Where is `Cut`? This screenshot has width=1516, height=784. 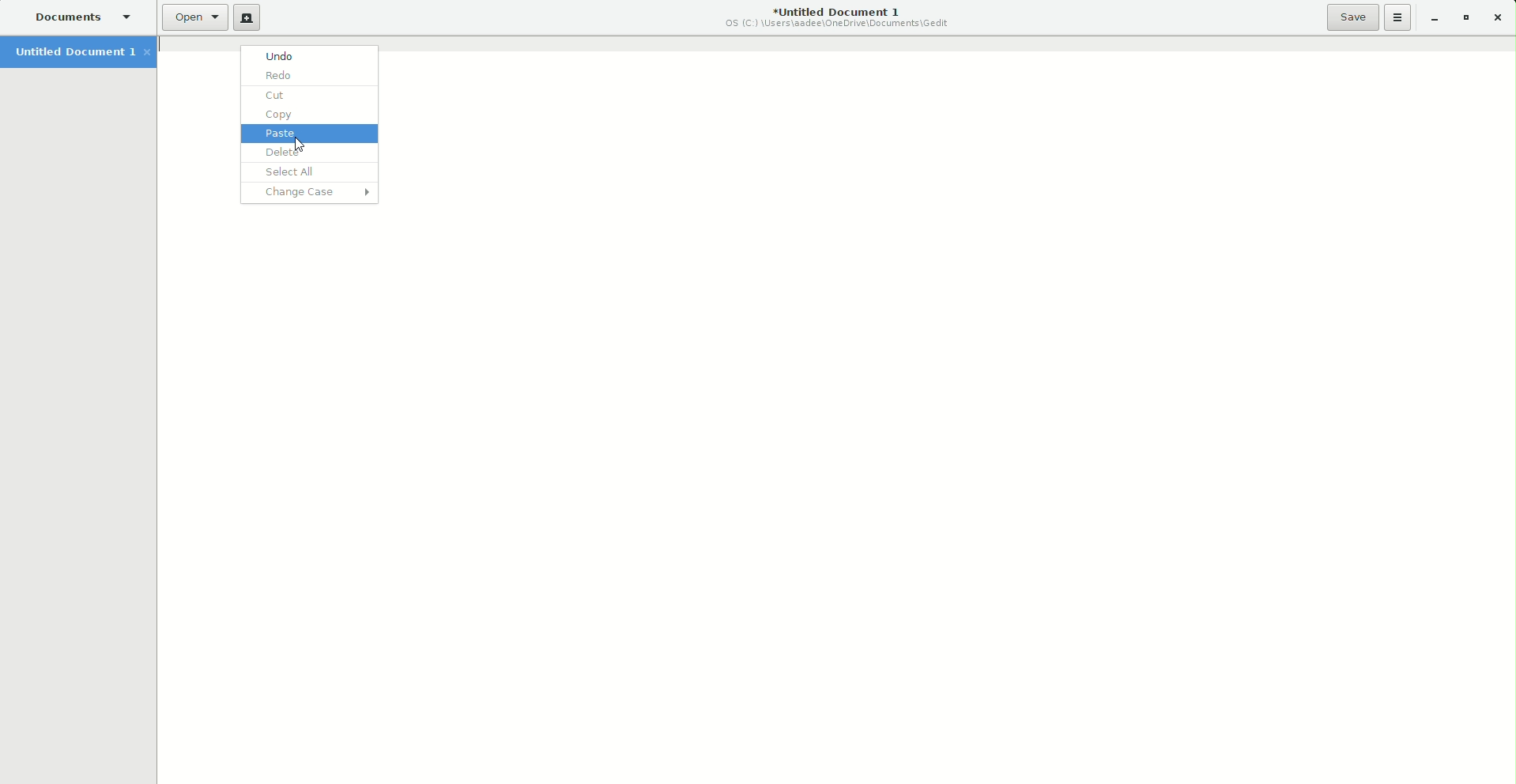 Cut is located at coordinates (310, 95).